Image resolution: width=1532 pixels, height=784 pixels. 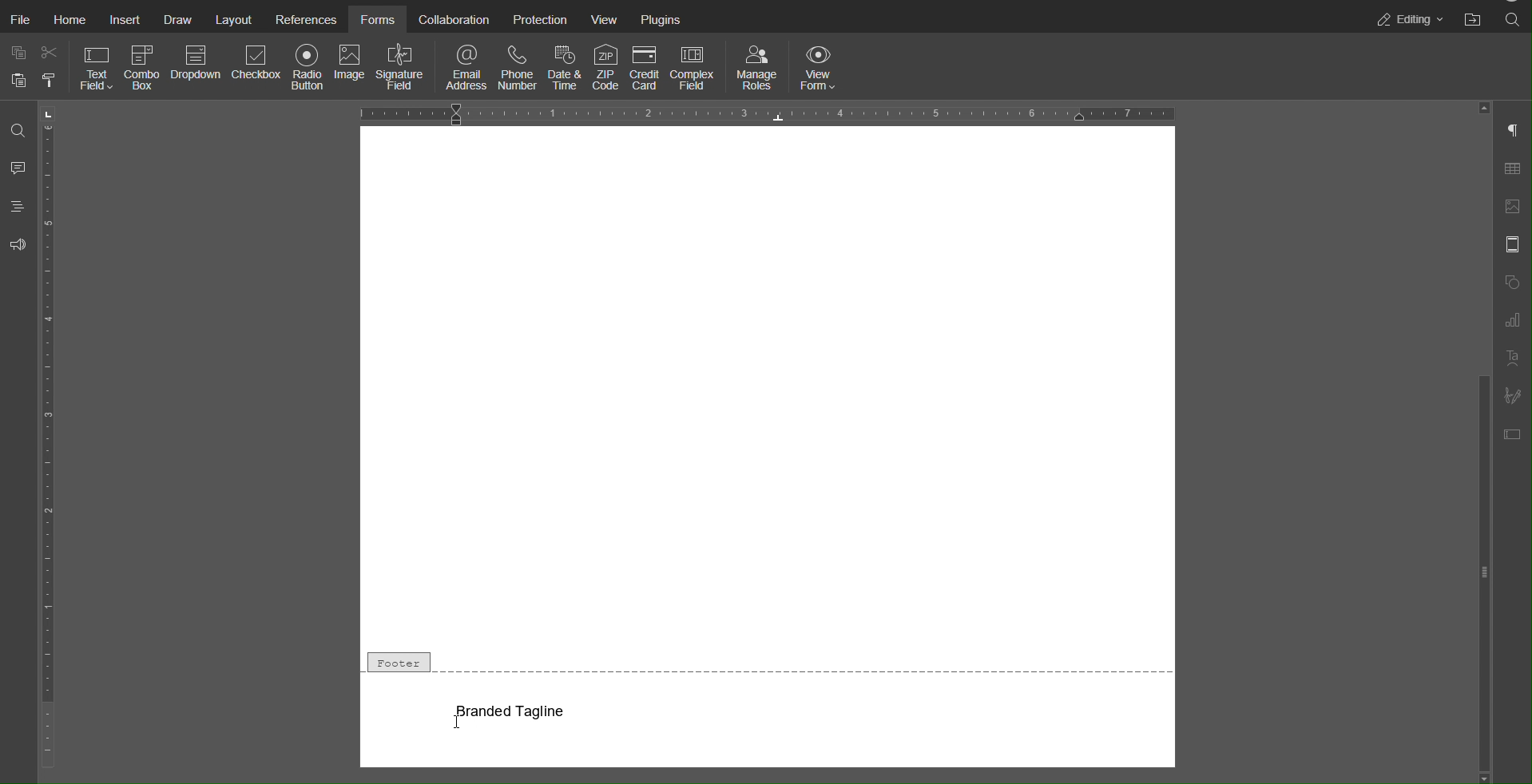 What do you see at coordinates (768, 663) in the screenshot?
I see `Footer` at bounding box center [768, 663].